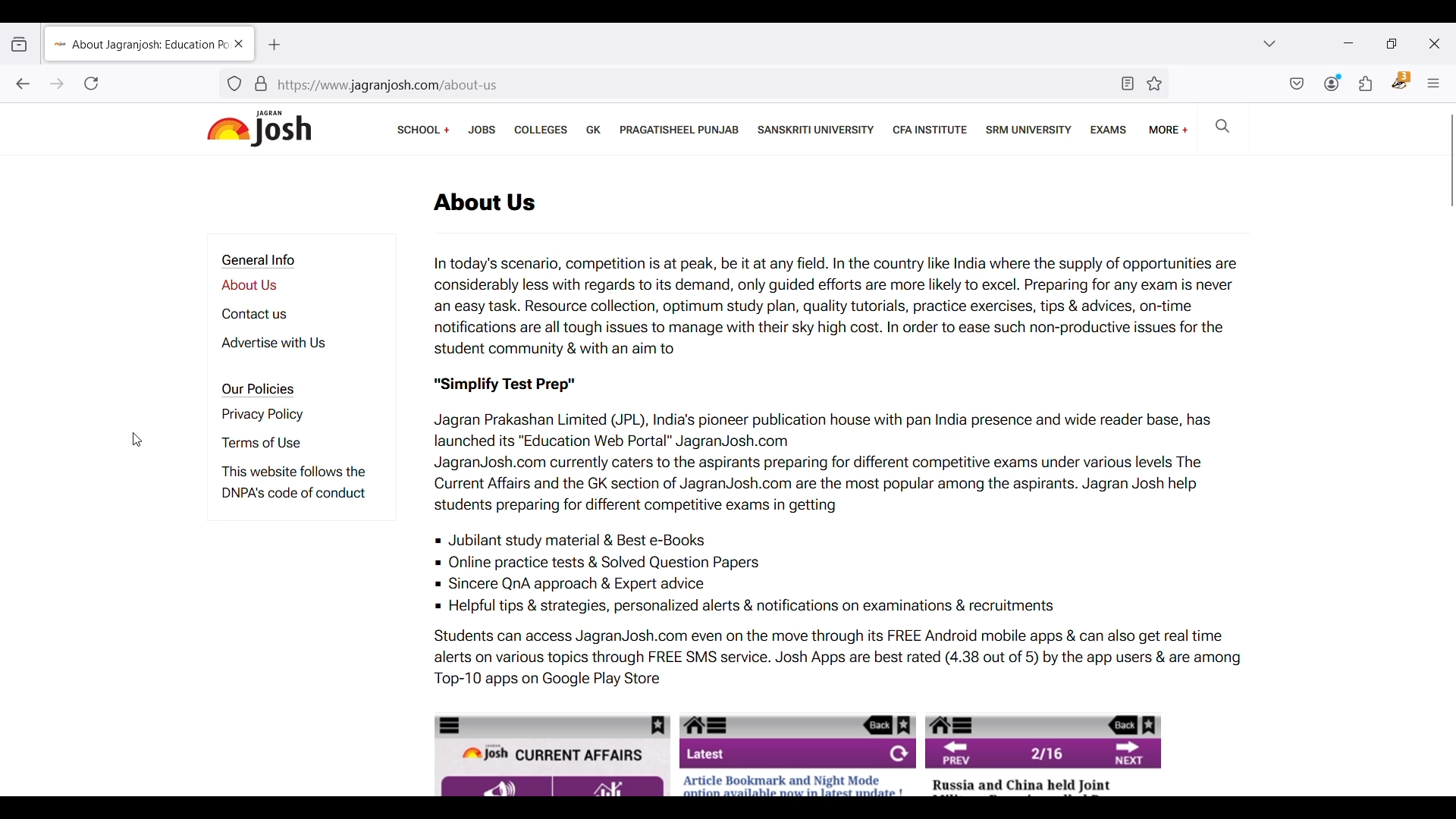  What do you see at coordinates (294, 480) in the screenshot?
I see `This website follows the
DNPA's code of conduct` at bounding box center [294, 480].